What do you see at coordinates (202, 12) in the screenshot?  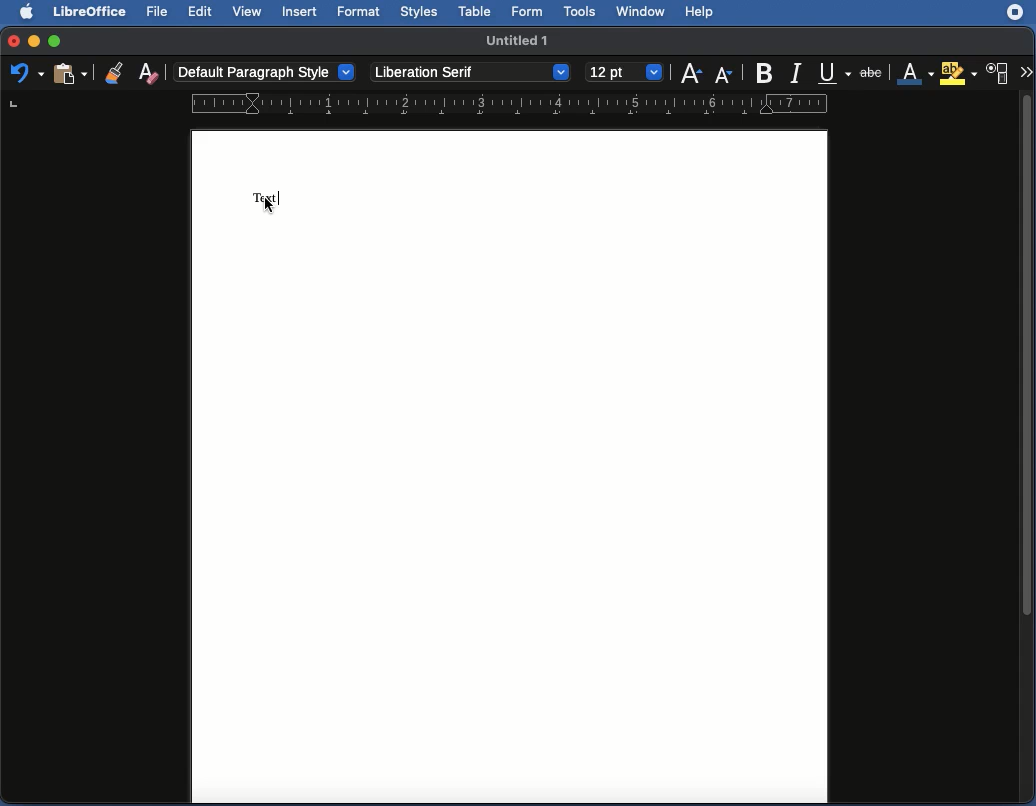 I see `Edit` at bounding box center [202, 12].